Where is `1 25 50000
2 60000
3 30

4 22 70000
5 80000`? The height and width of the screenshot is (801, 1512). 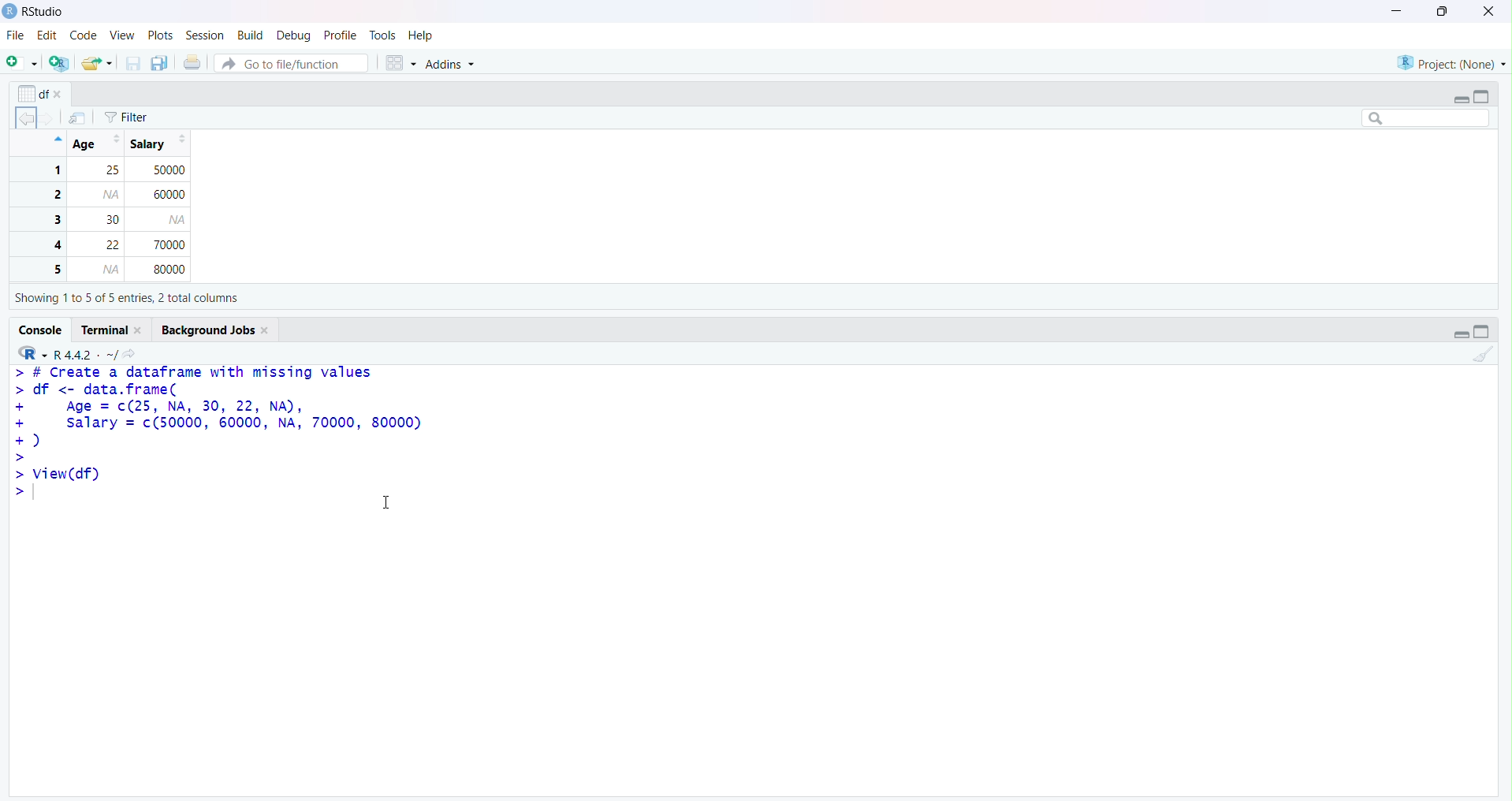
1 25 50000
2 60000
3 30

4 22 70000
5 80000 is located at coordinates (114, 221).